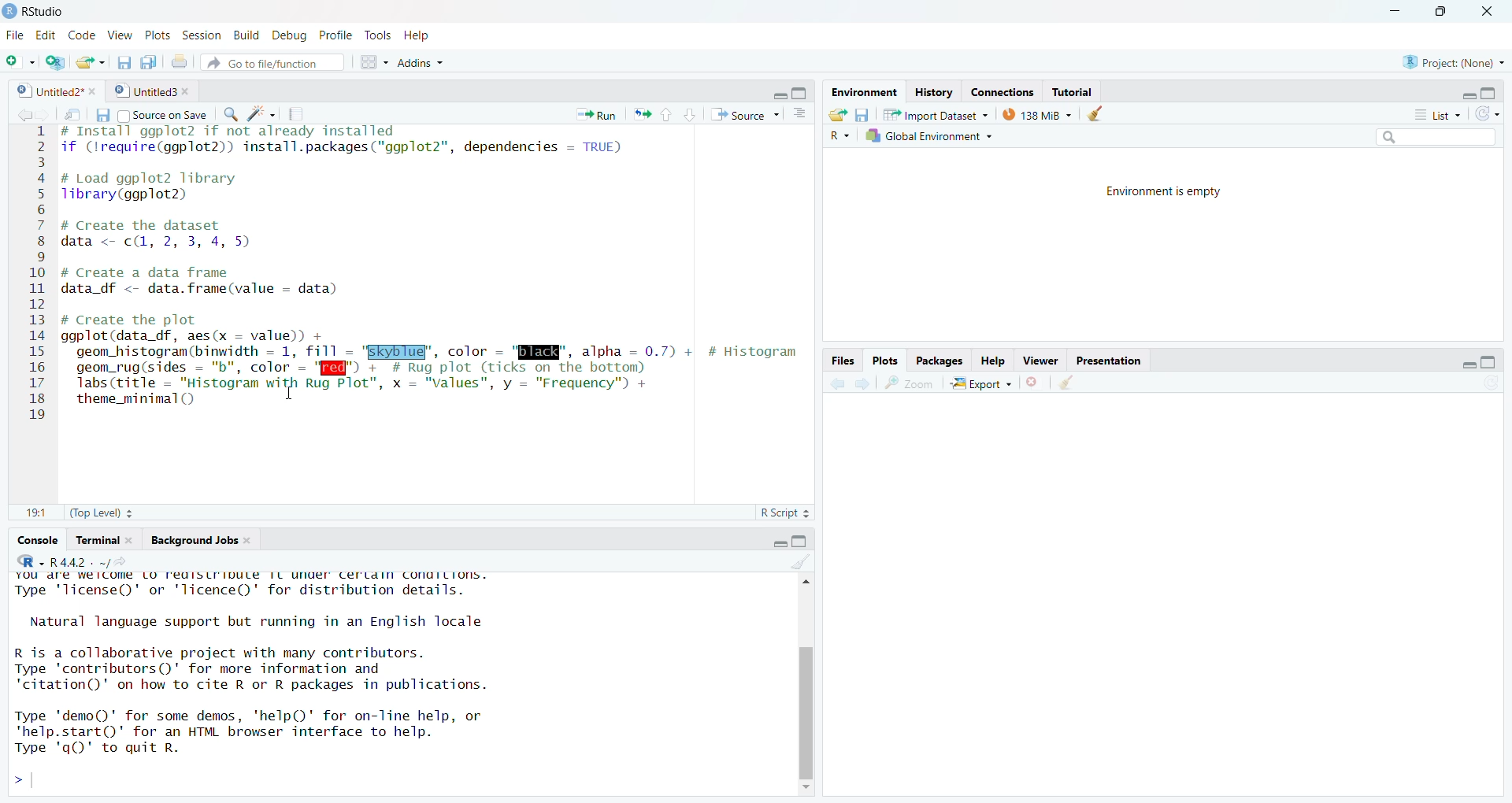 Image resolution: width=1512 pixels, height=803 pixels. What do you see at coordinates (102, 114) in the screenshot?
I see `Save` at bounding box center [102, 114].